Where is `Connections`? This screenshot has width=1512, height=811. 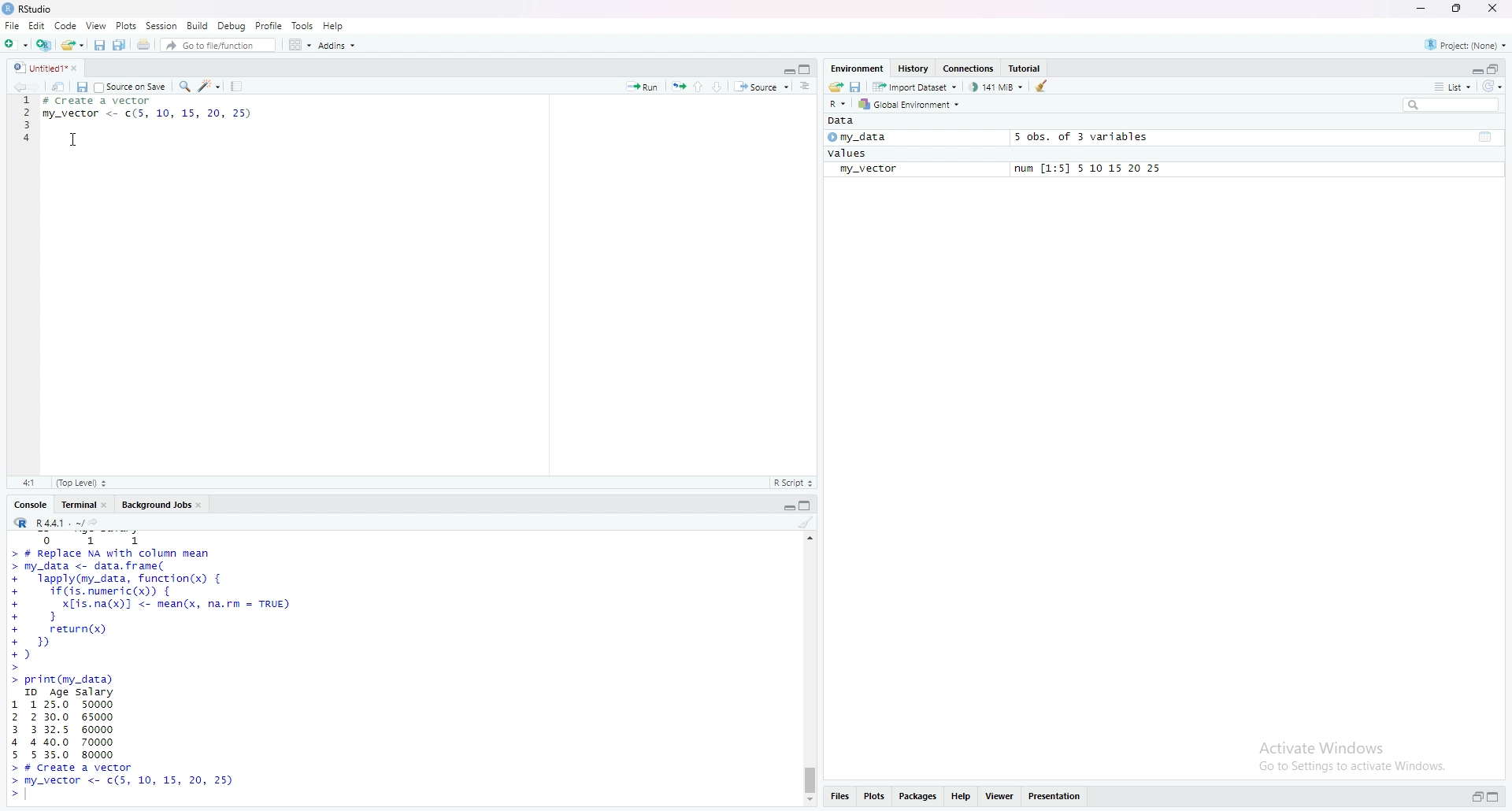
Connections is located at coordinates (972, 68).